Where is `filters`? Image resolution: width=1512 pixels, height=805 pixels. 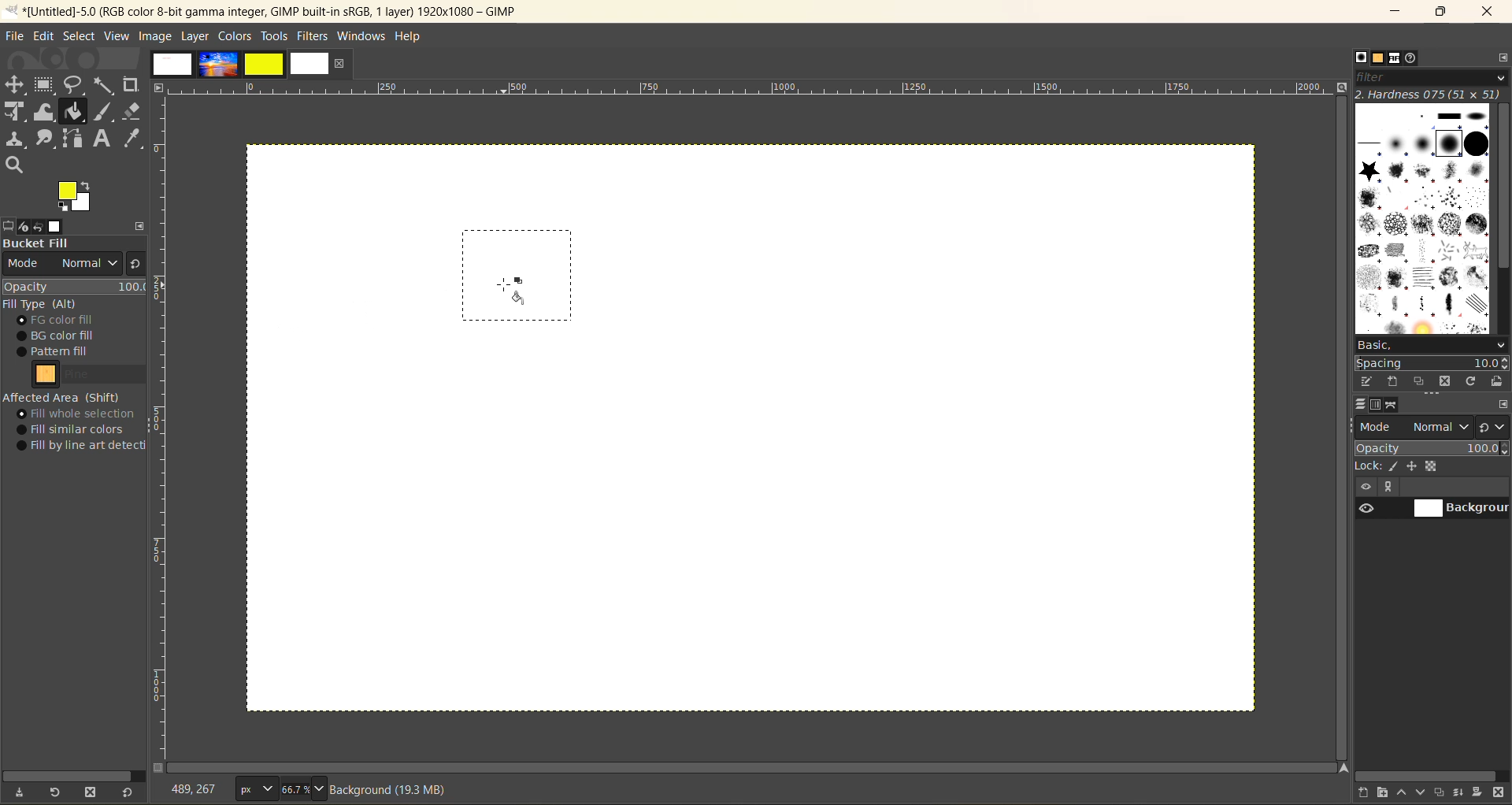
filters is located at coordinates (313, 36).